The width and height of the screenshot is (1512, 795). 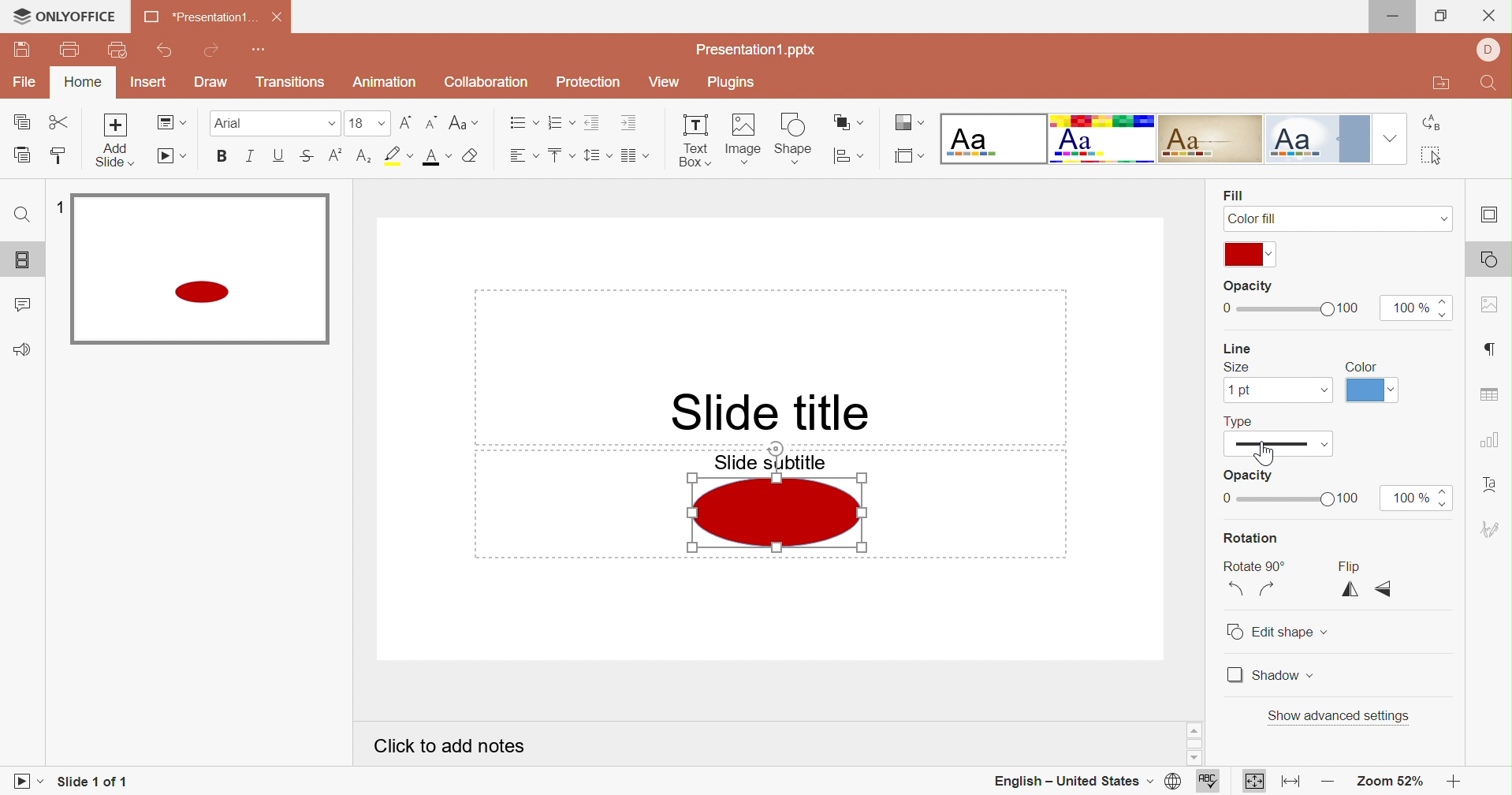 I want to click on Open file location, so click(x=1440, y=84).